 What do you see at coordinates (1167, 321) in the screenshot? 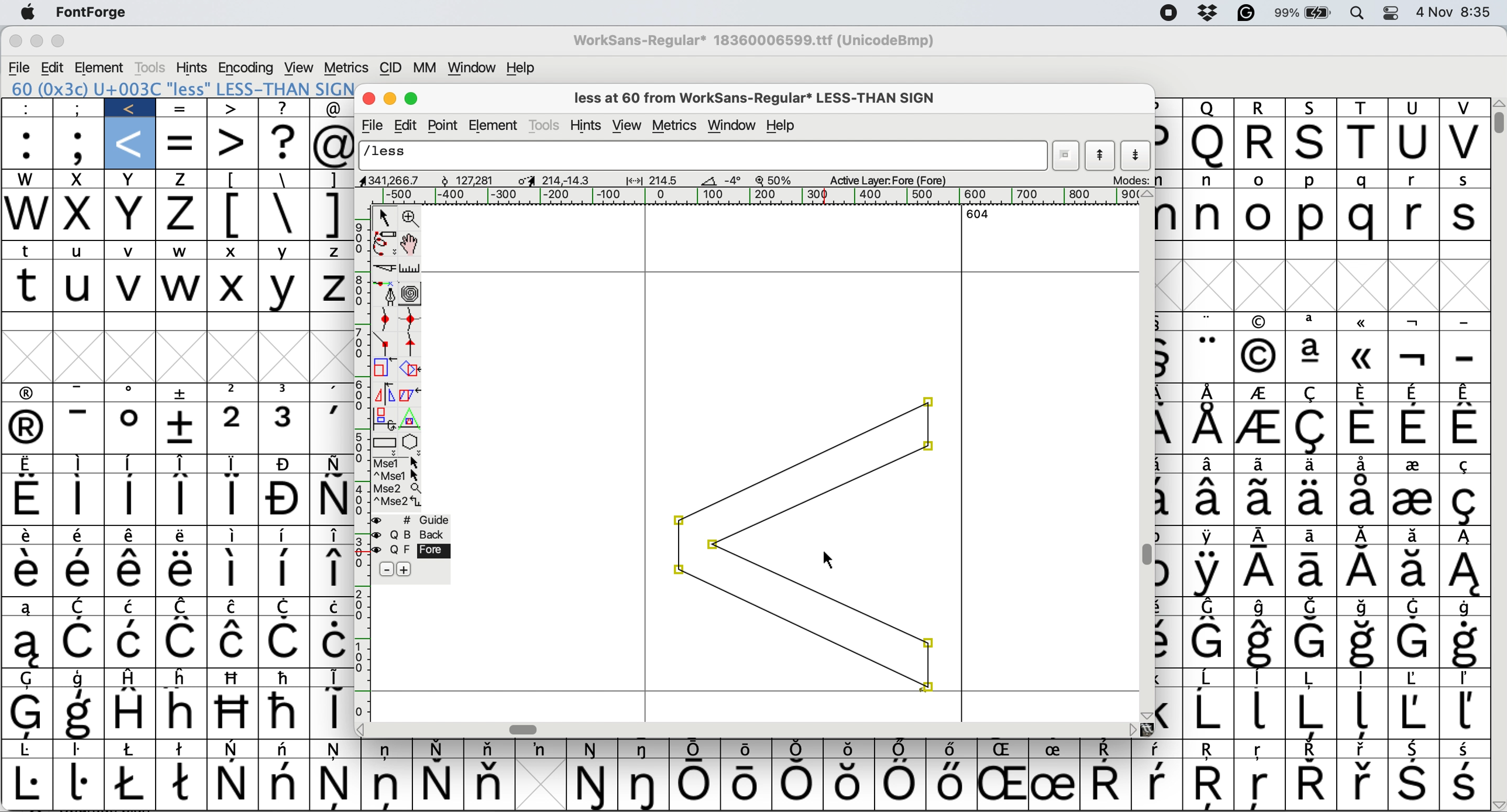
I see `Symbol` at bounding box center [1167, 321].